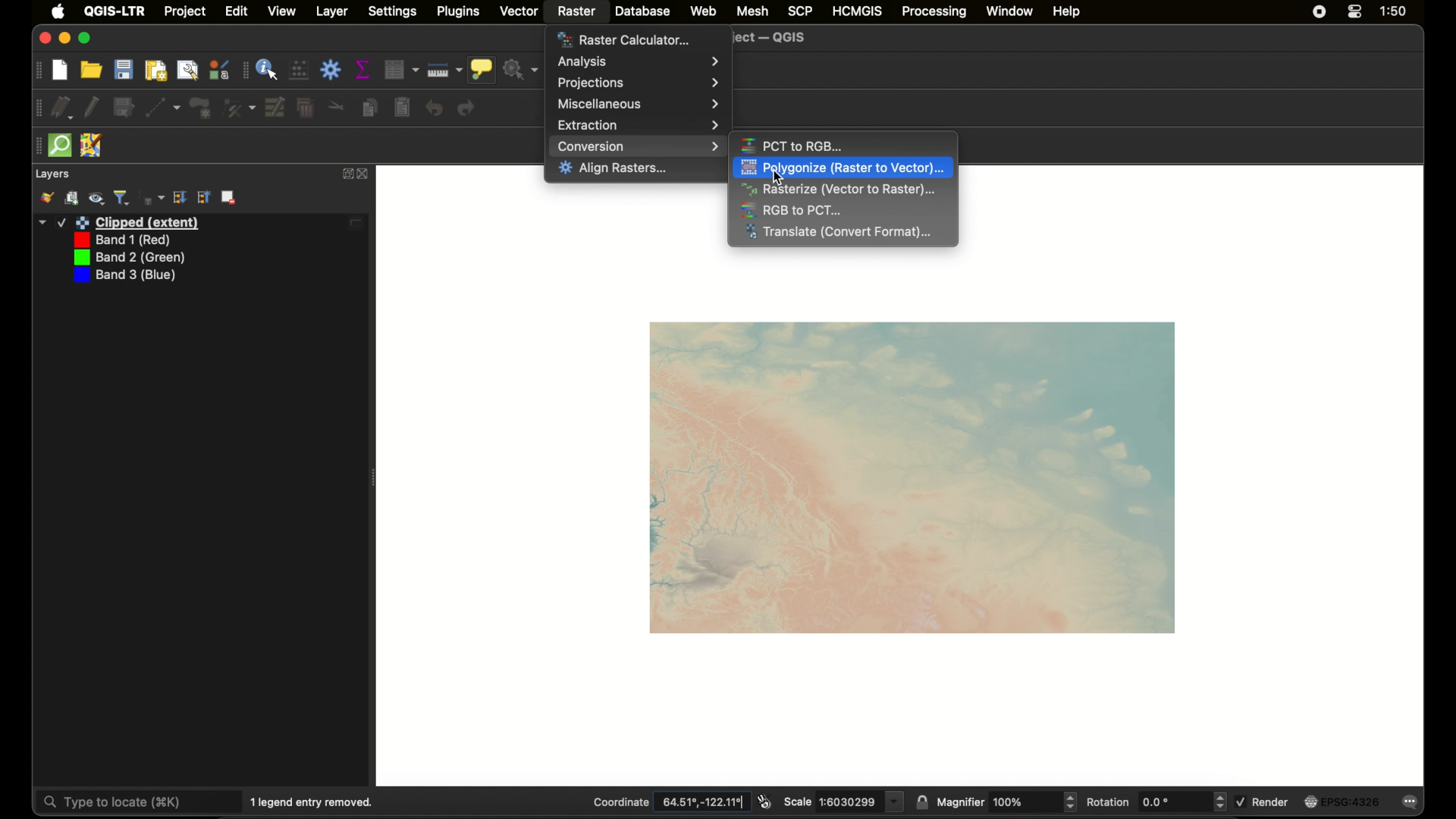 This screenshot has width=1456, height=819. What do you see at coordinates (459, 11) in the screenshot?
I see `plugins` at bounding box center [459, 11].